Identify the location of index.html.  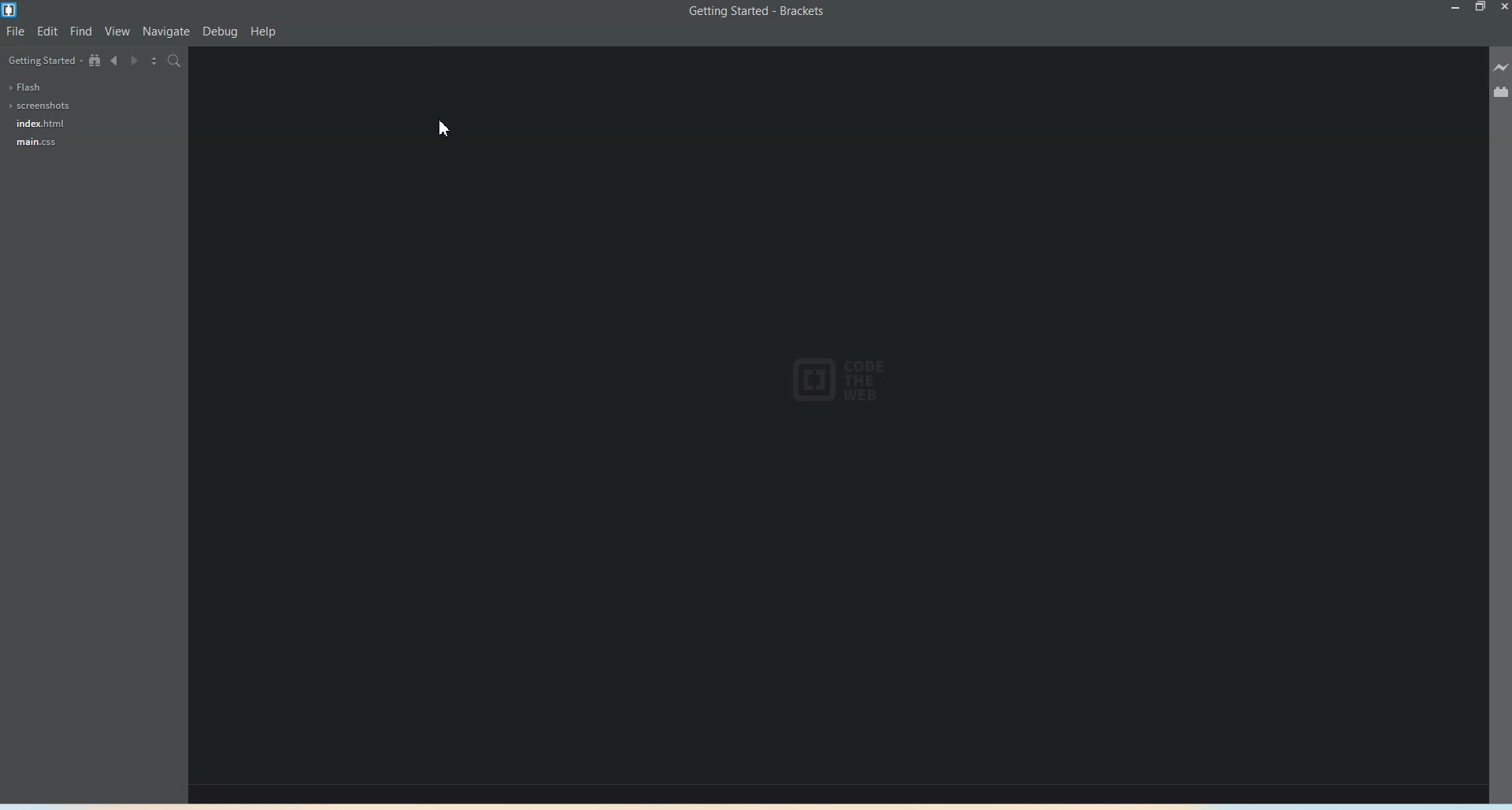
(37, 123).